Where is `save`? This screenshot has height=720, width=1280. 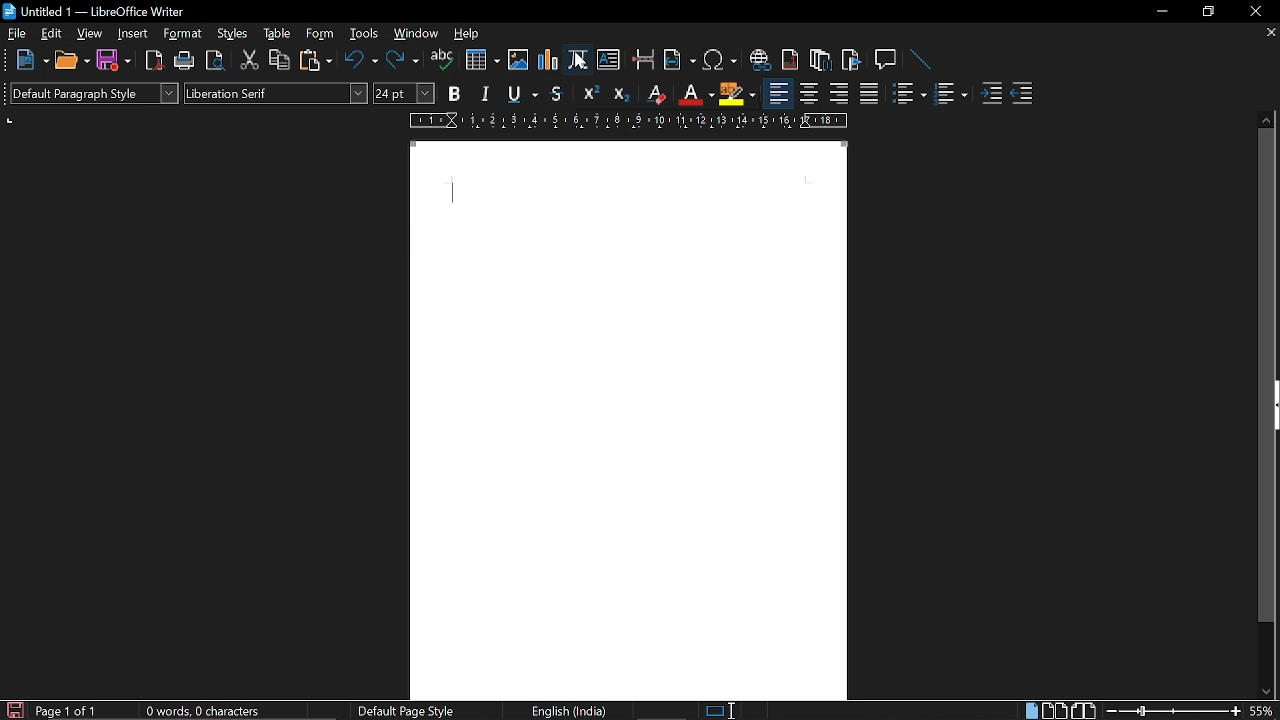 save is located at coordinates (112, 61).